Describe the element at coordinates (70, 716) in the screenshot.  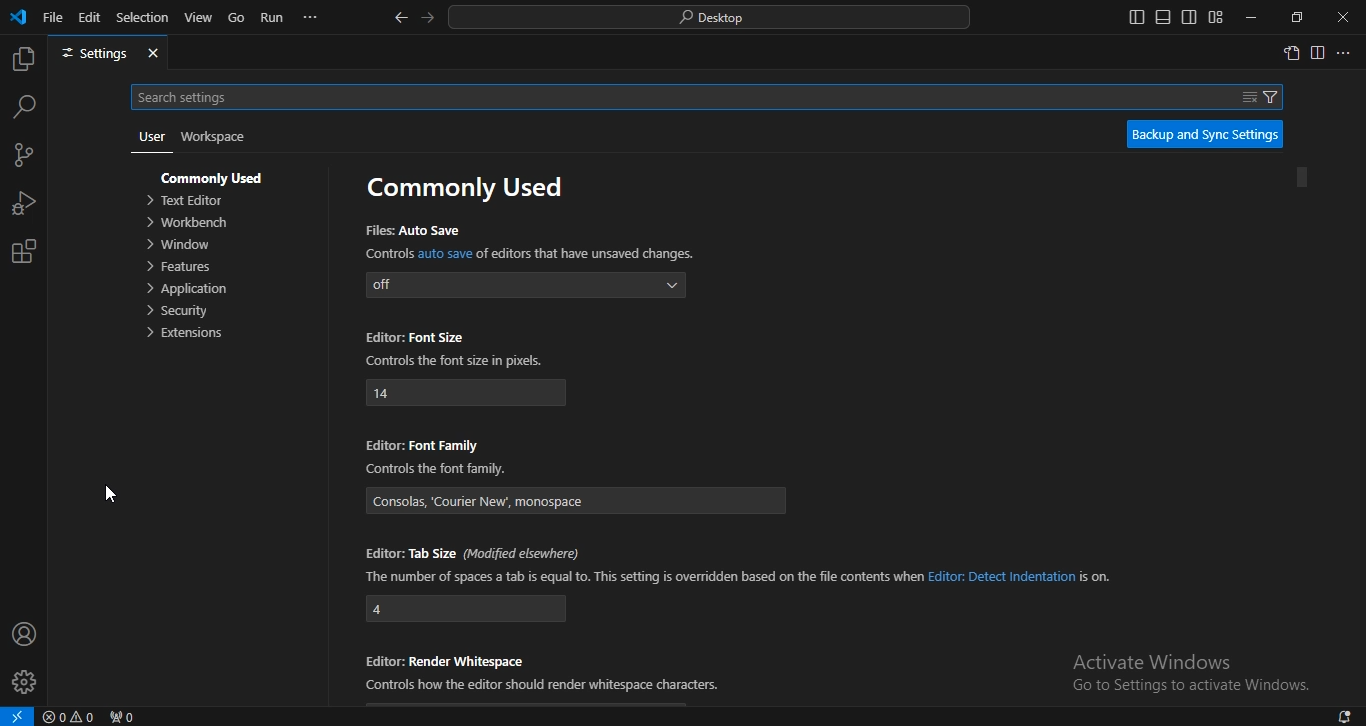
I see `no problems` at that location.